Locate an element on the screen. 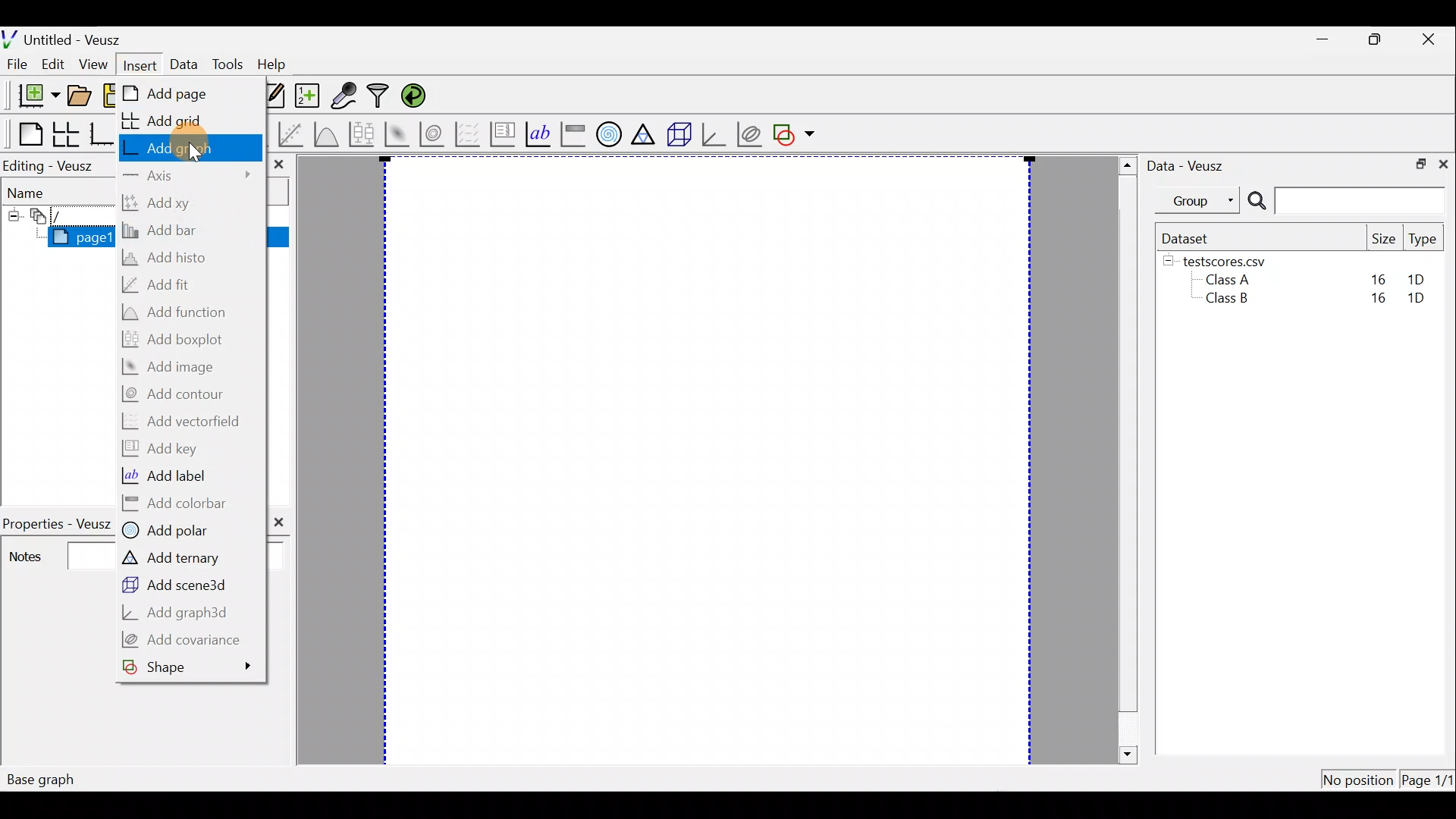 The width and height of the screenshot is (1456, 819). Add fit is located at coordinates (163, 285).